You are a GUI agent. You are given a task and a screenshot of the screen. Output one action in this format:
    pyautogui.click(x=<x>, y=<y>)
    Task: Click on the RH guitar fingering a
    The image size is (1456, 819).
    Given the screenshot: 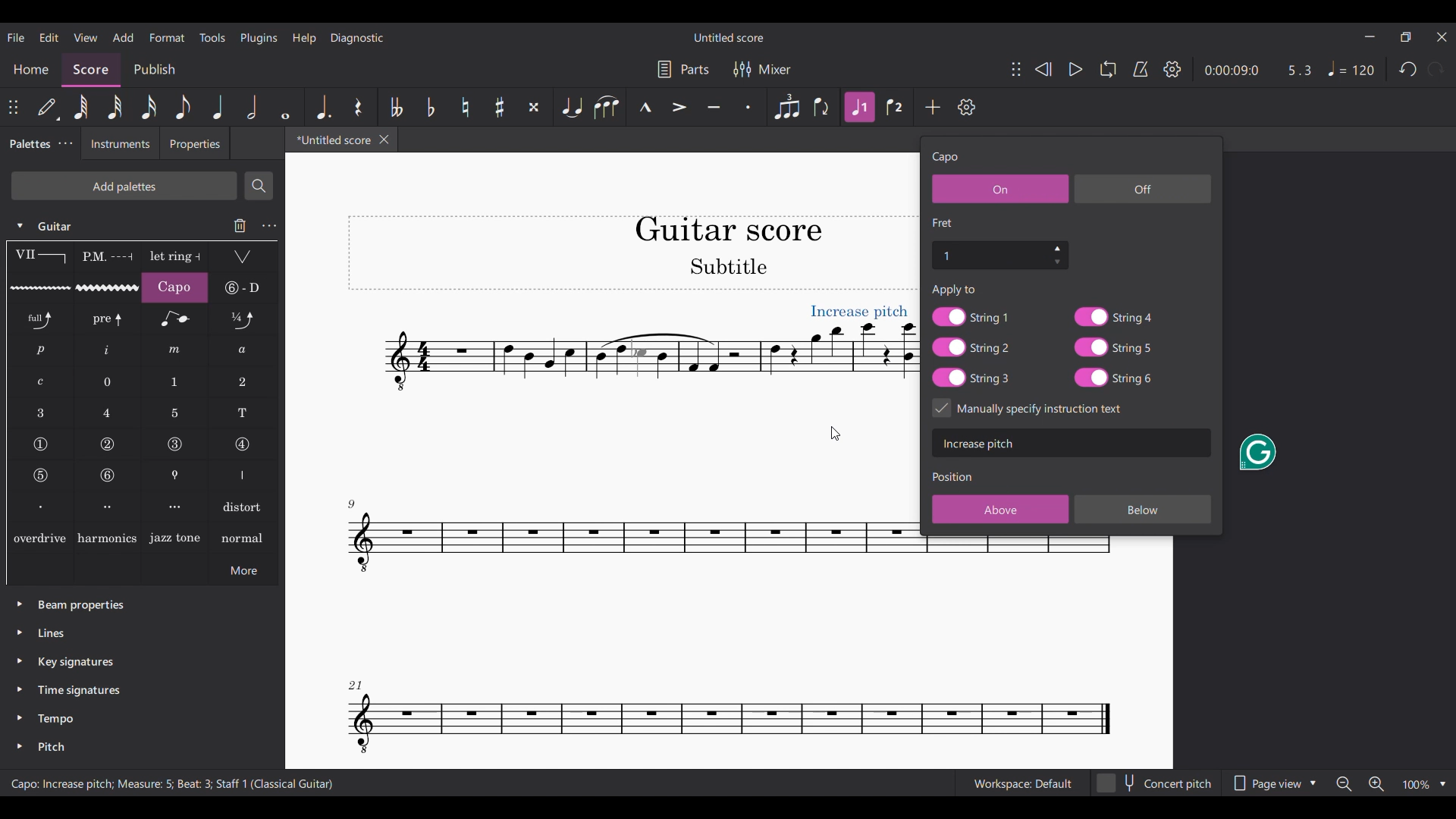 What is the action you would take?
    pyautogui.click(x=243, y=350)
    